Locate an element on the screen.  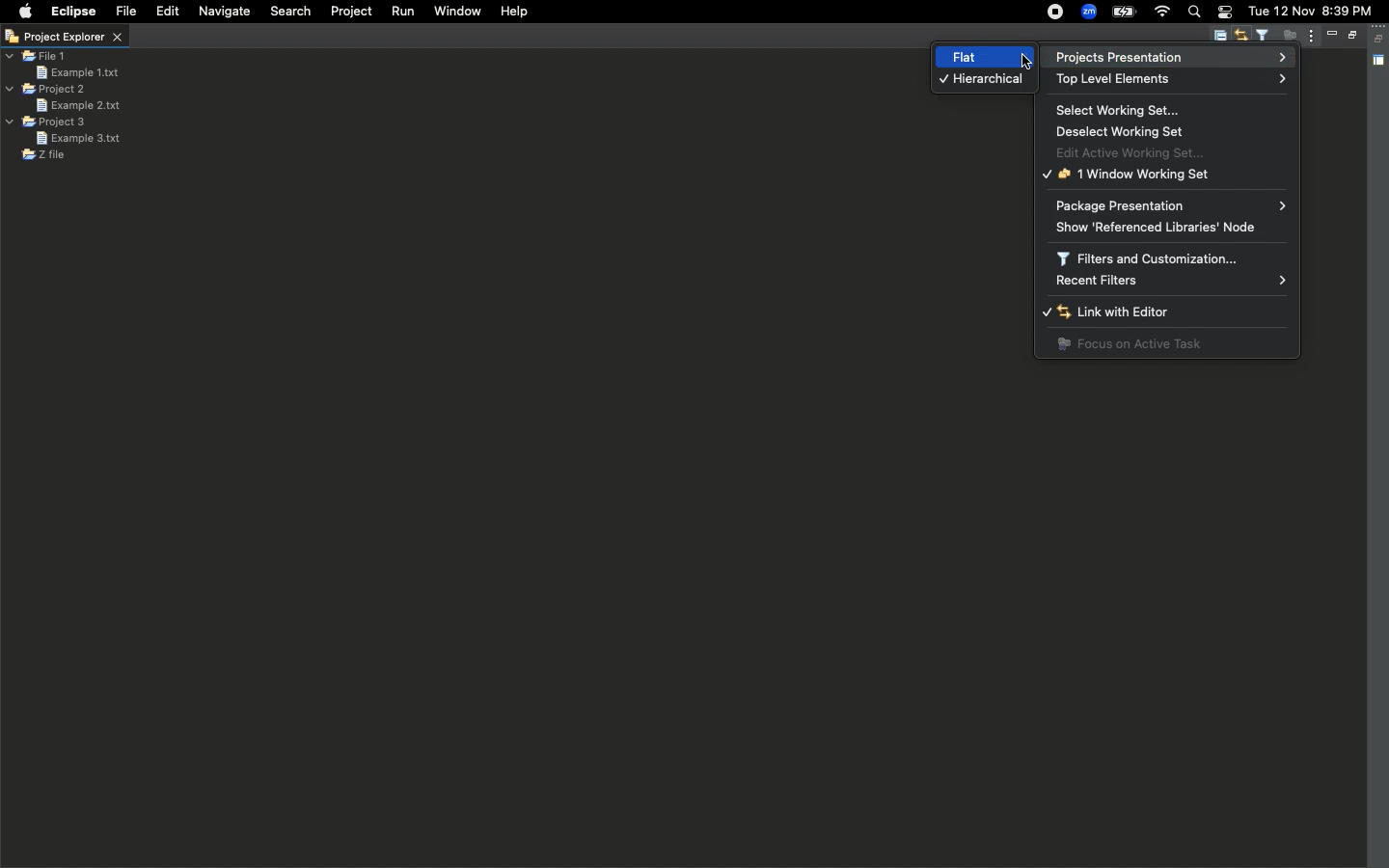
Example 3 text file is located at coordinates (78, 138).